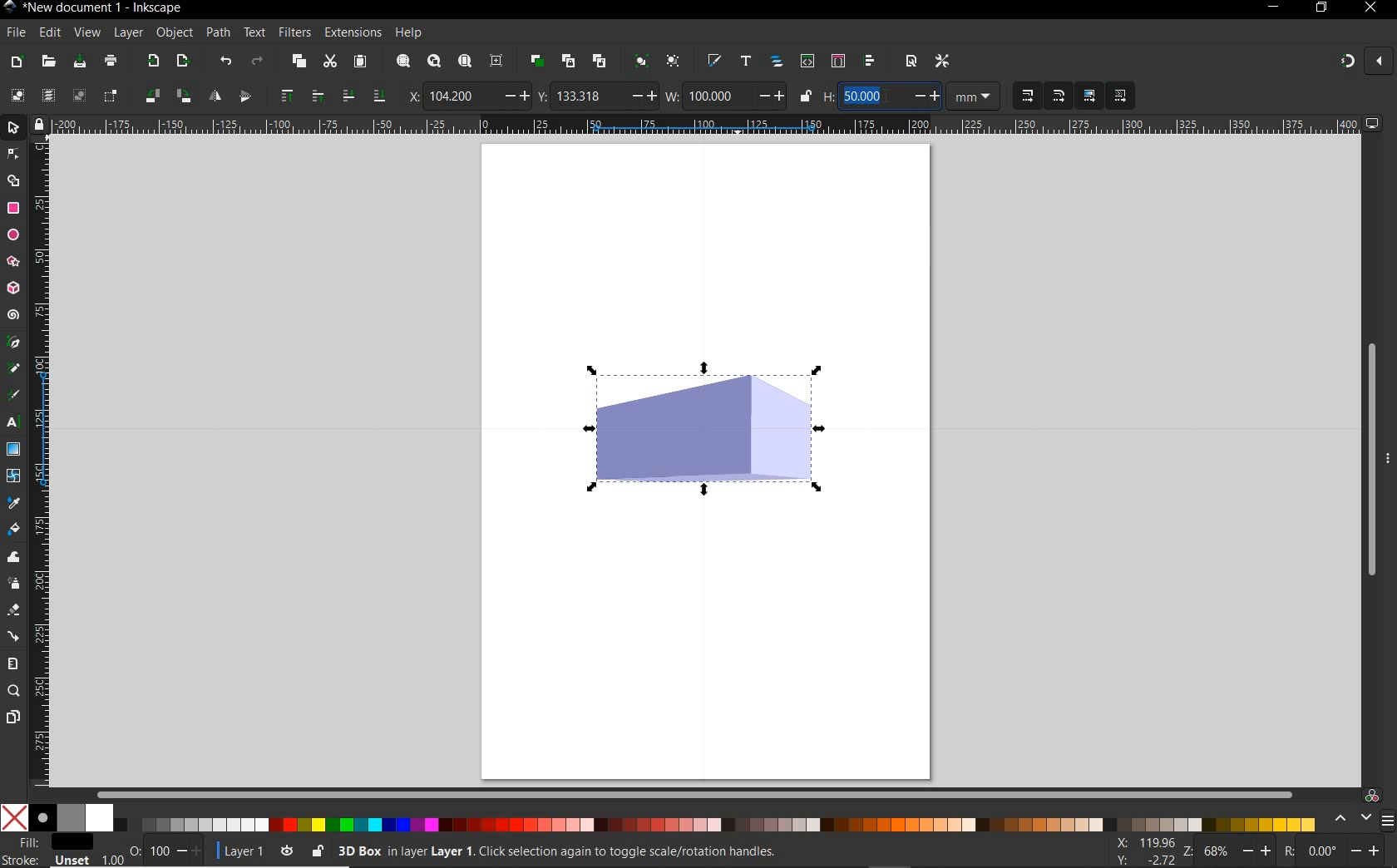 This screenshot has width=1397, height=868. What do you see at coordinates (249, 96) in the screenshot?
I see `object flip` at bounding box center [249, 96].